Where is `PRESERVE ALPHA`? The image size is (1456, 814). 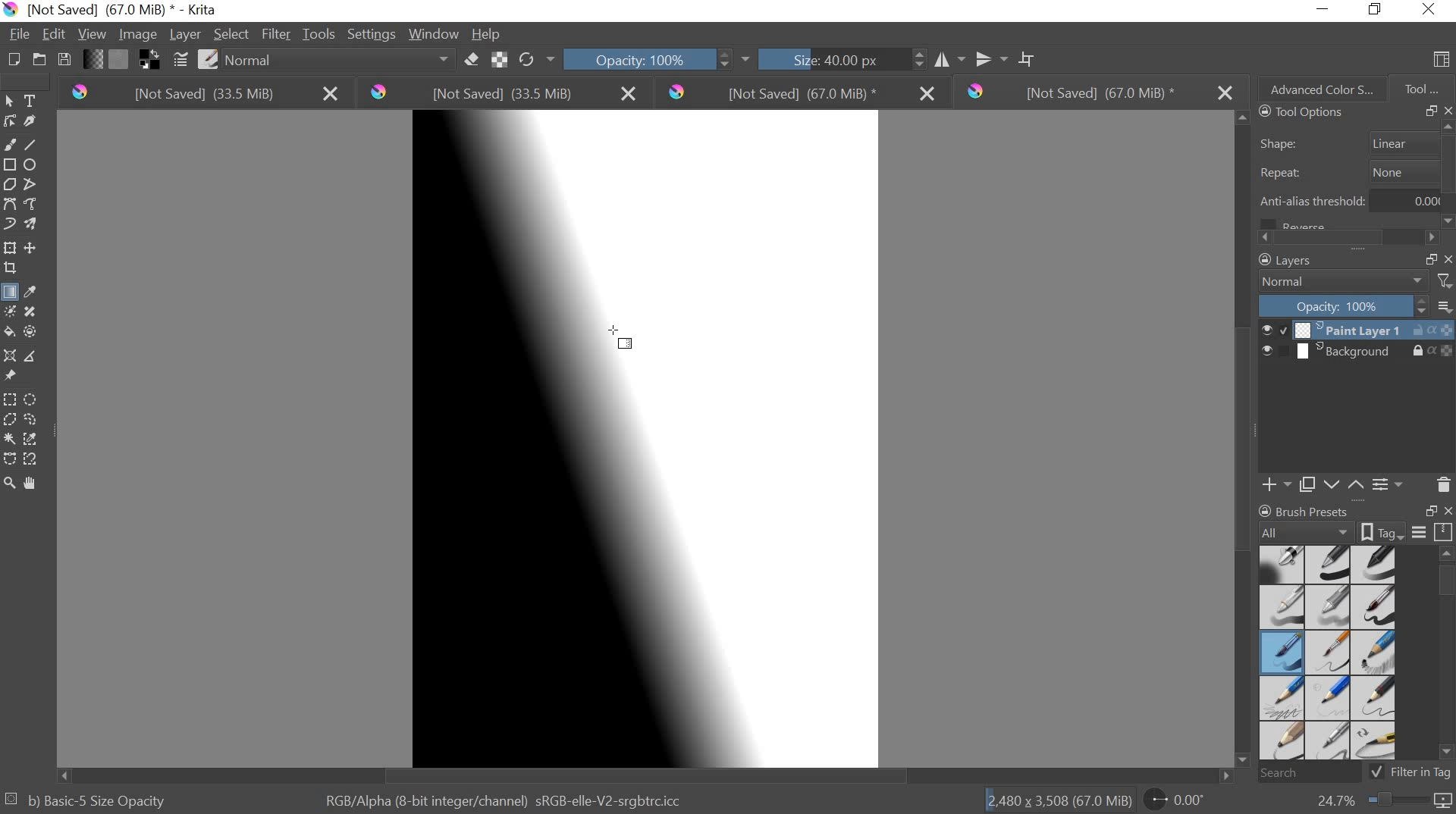 PRESERVE ALPHA is located at coordinates (501, 60).